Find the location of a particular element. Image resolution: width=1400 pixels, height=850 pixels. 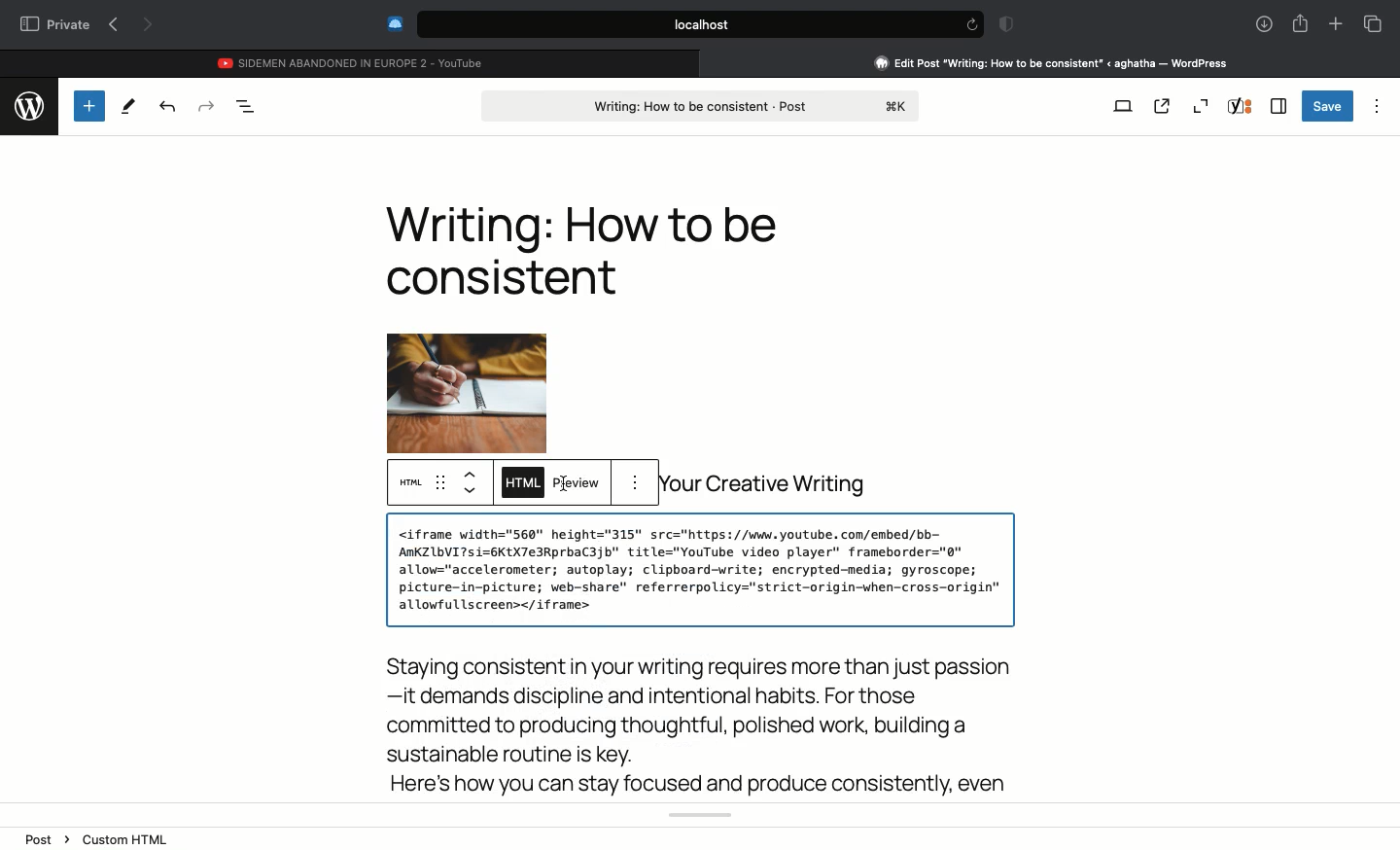

View post is located at coordinates (1162, 105).